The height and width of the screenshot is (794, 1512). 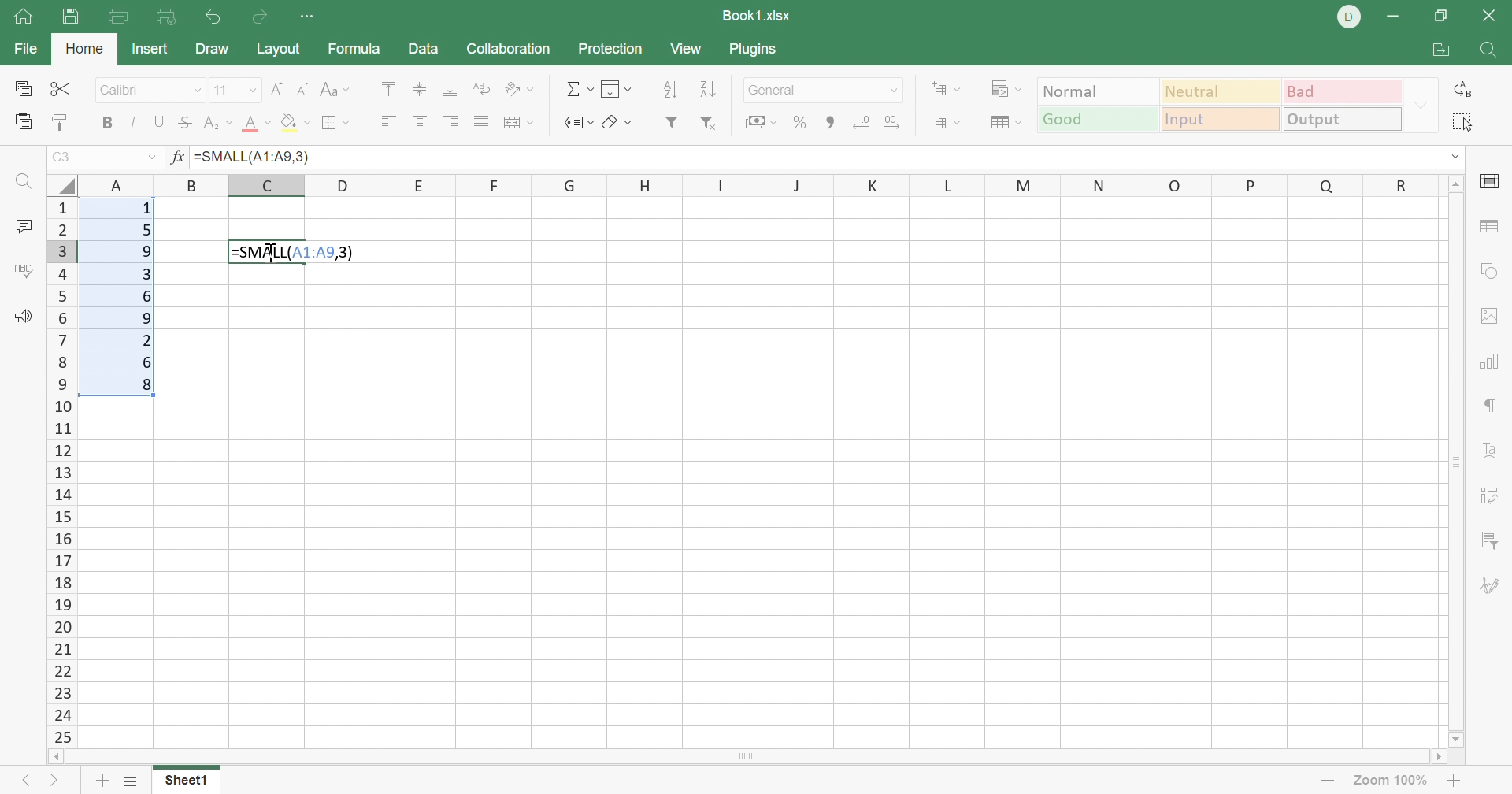 I want to click on Open file location, so click(x=1444, y=50).